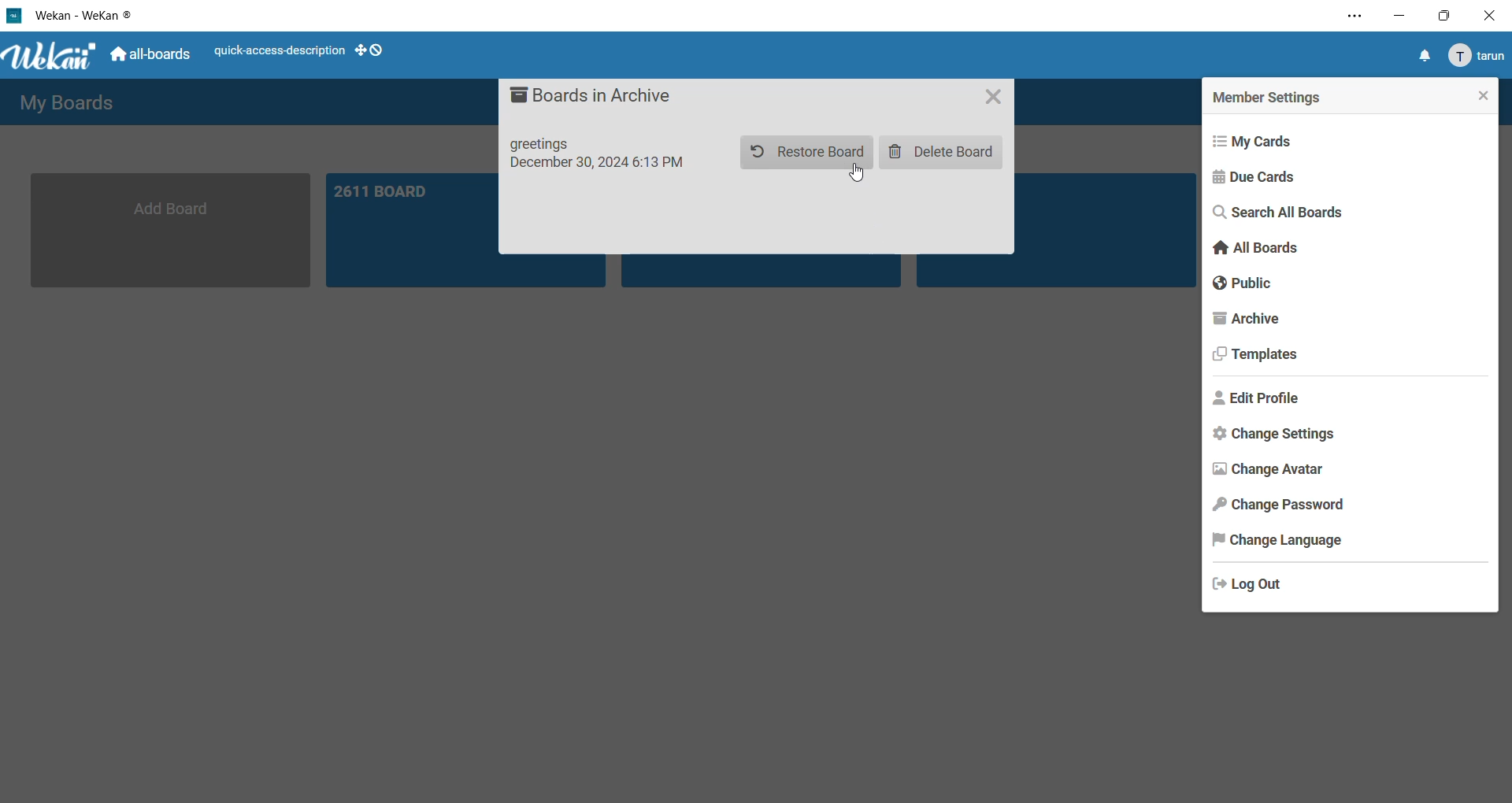  What do you see at coordinates (803, 151) in the screenshot?
I see `restore board` at bounding box center [803, 151].